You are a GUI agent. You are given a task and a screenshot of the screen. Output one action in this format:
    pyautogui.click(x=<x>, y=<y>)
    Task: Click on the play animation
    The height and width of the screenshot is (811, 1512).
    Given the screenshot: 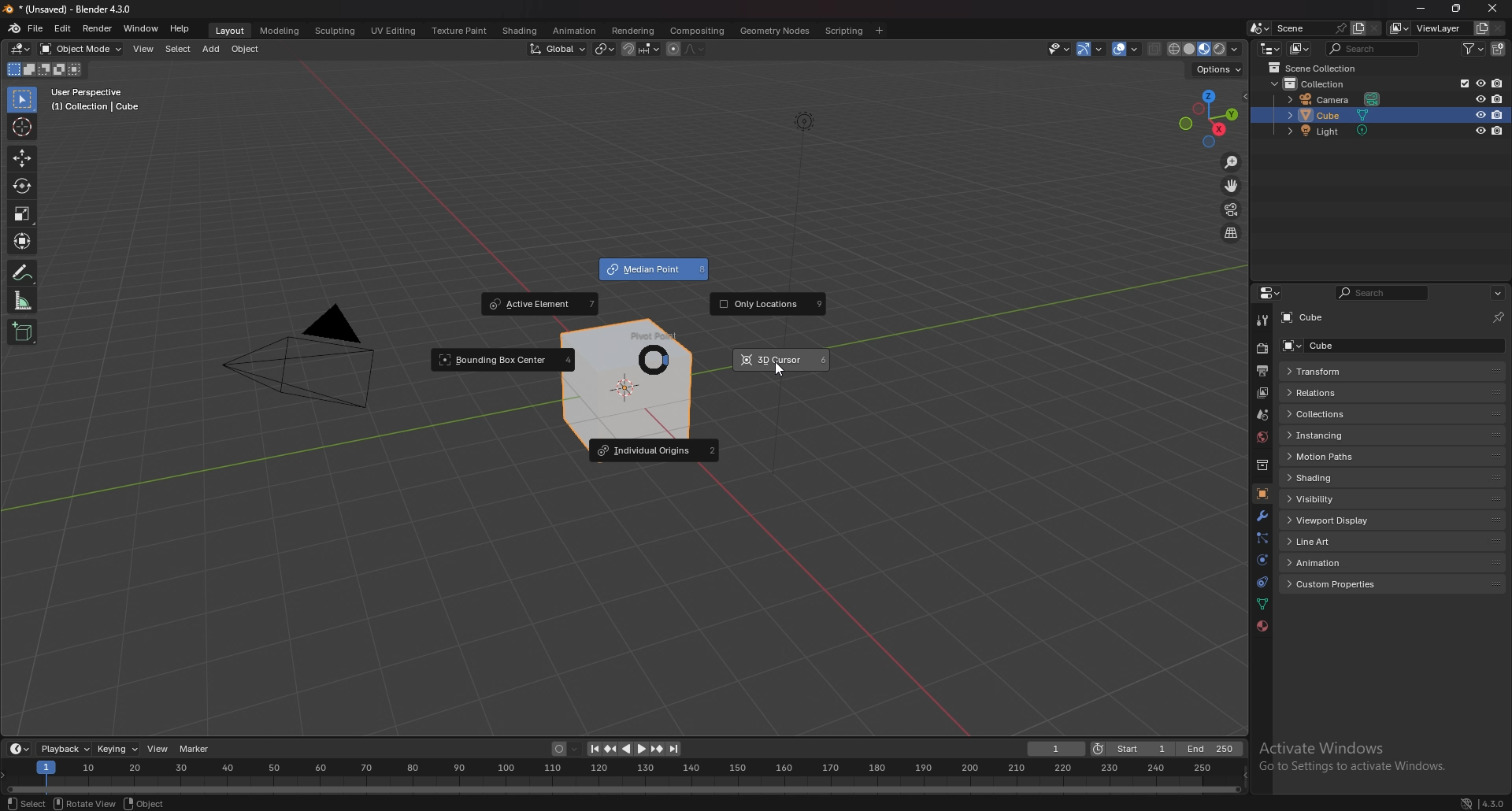 What is the action you would take?
    pyautogui.click(x=633, y=748)
    